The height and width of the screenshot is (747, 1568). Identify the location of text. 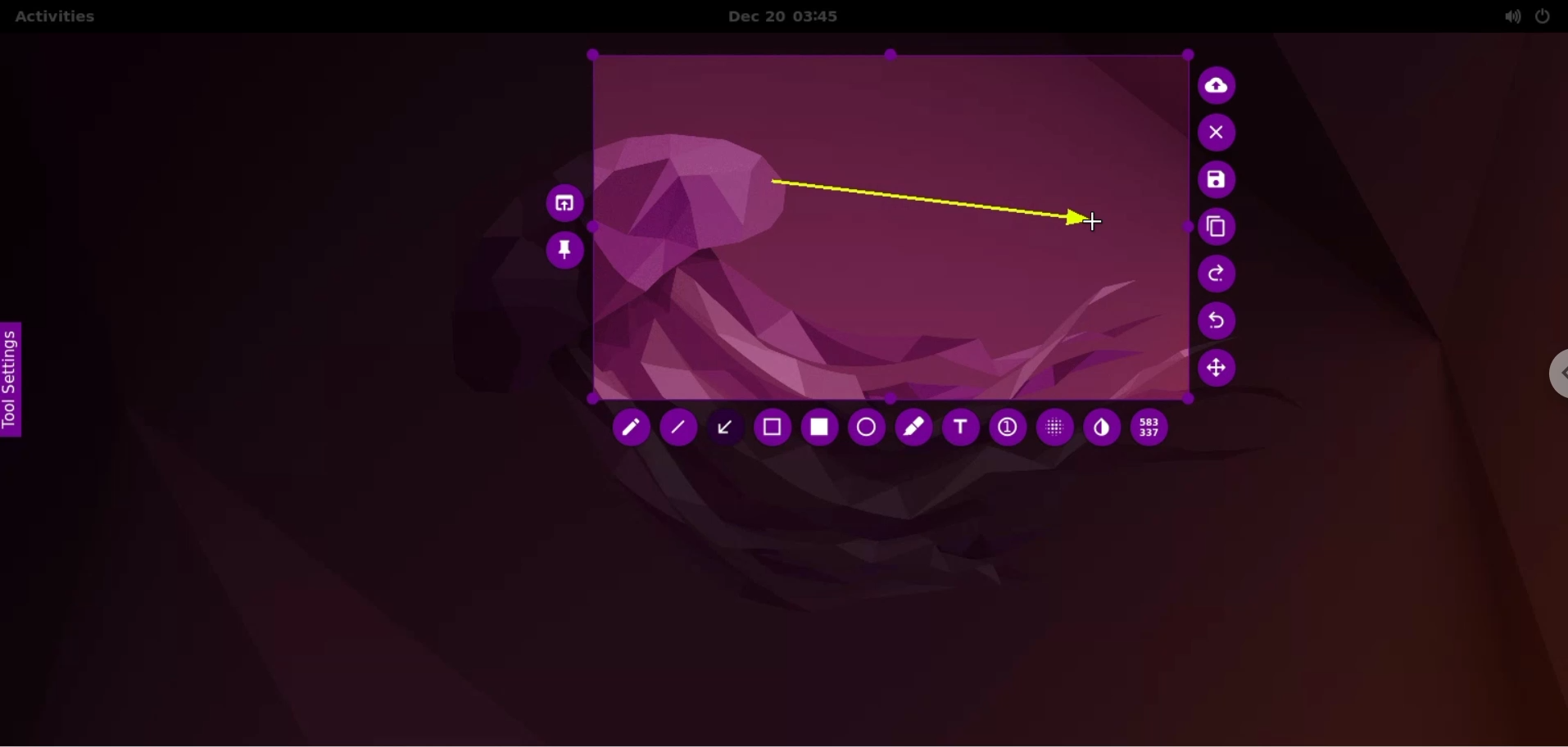
(961, 431).